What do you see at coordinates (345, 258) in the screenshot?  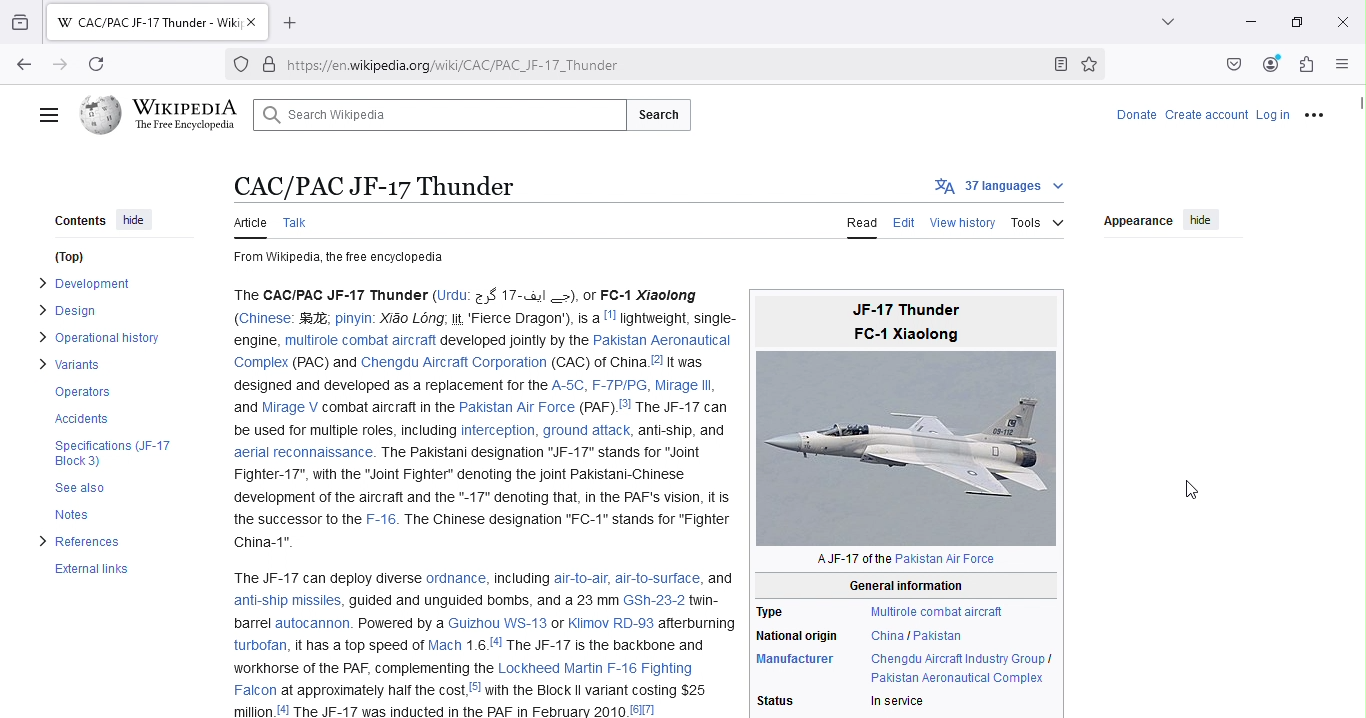 I see `From Wikipedia, the free encyclopedia` at bounding box center [345, 258].